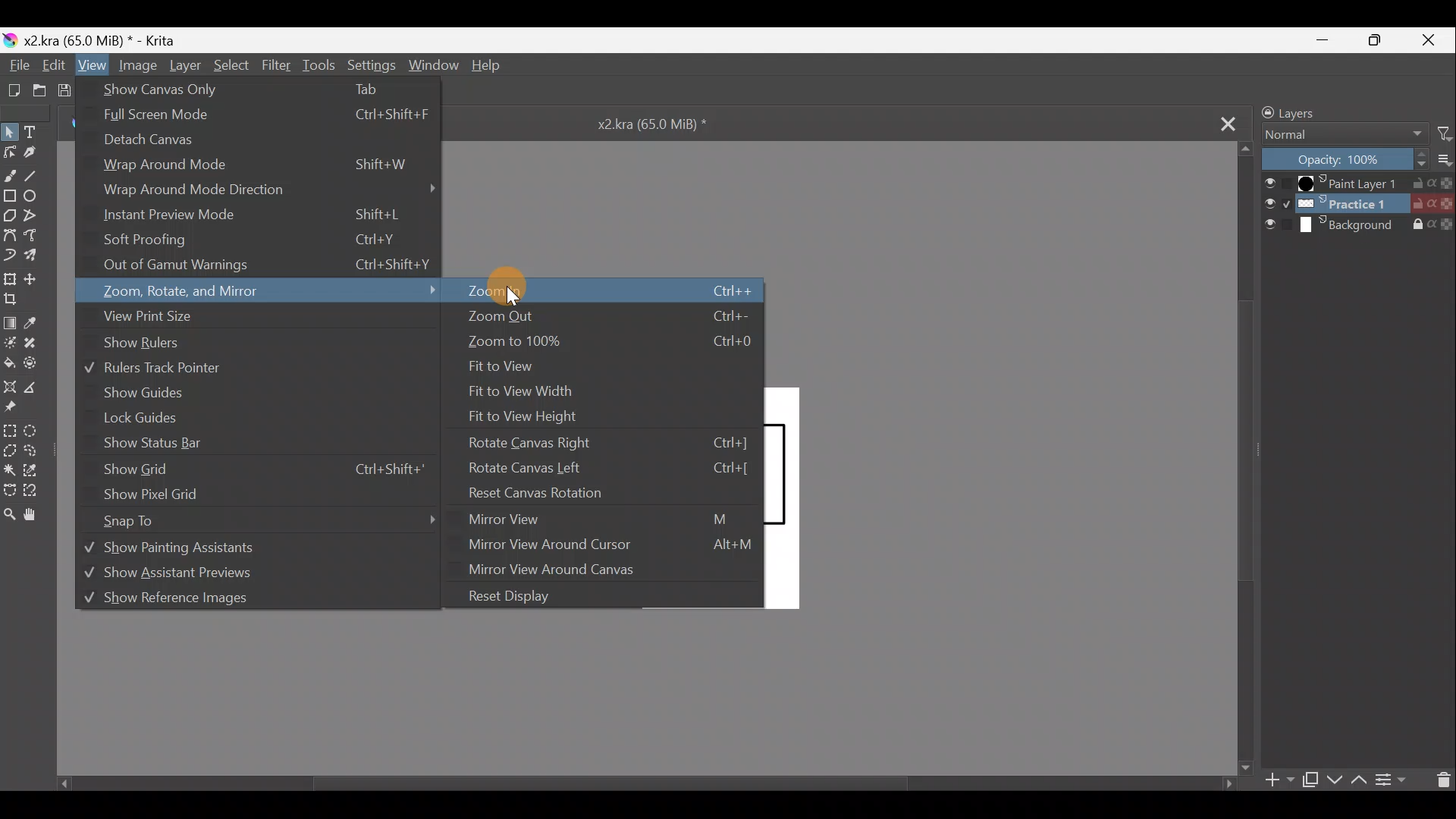 This screenshot has height=819, width=1456. I want to click on Rotate canvas right  Ctrl+], so click(613, 443).